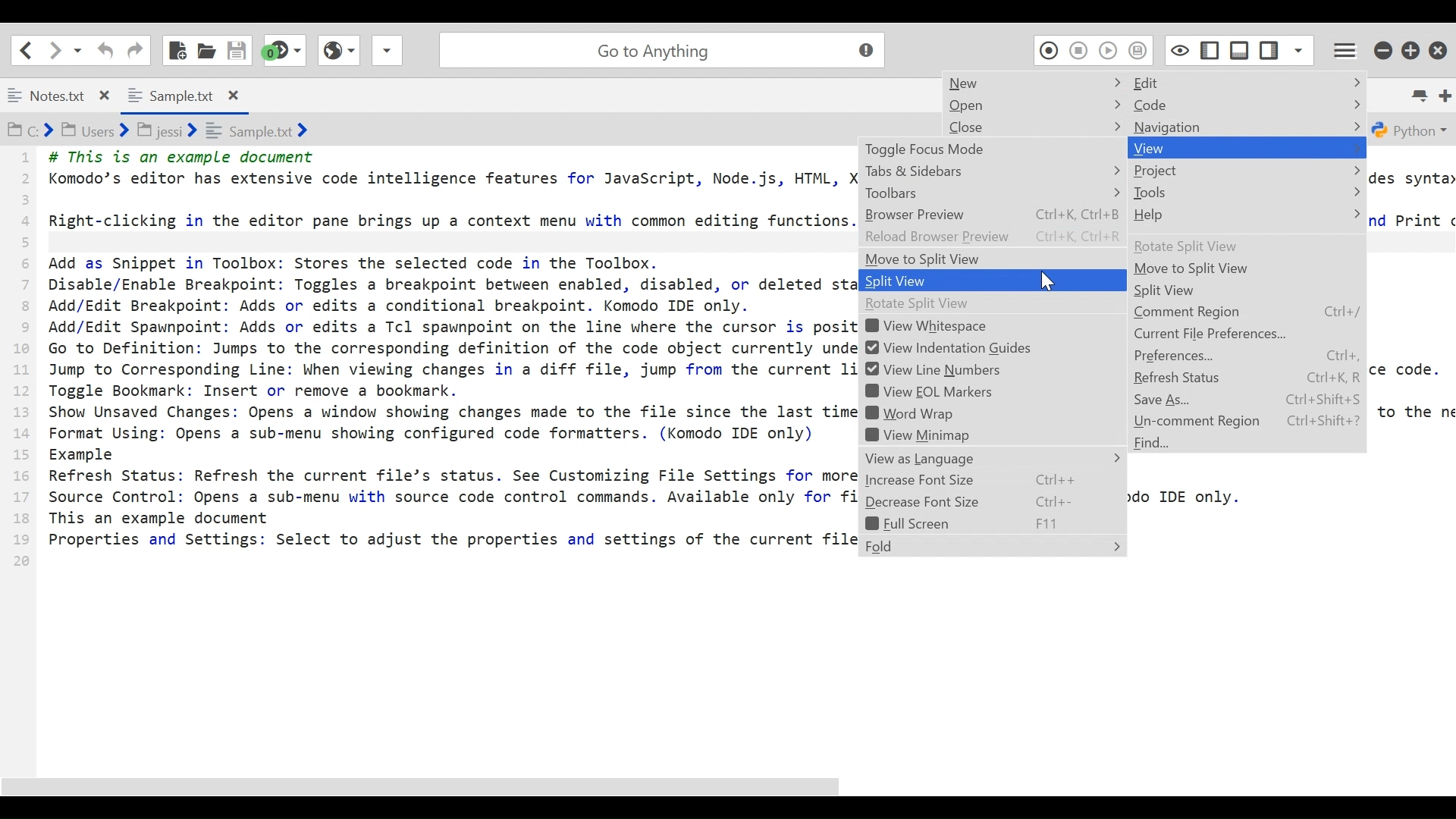 The height and width of the screenshot is (819, 1456). Describe the element at coordinates (1139, 50) in the screenshot. I see `Save Macro to Toolbox as Superscript` at that location.